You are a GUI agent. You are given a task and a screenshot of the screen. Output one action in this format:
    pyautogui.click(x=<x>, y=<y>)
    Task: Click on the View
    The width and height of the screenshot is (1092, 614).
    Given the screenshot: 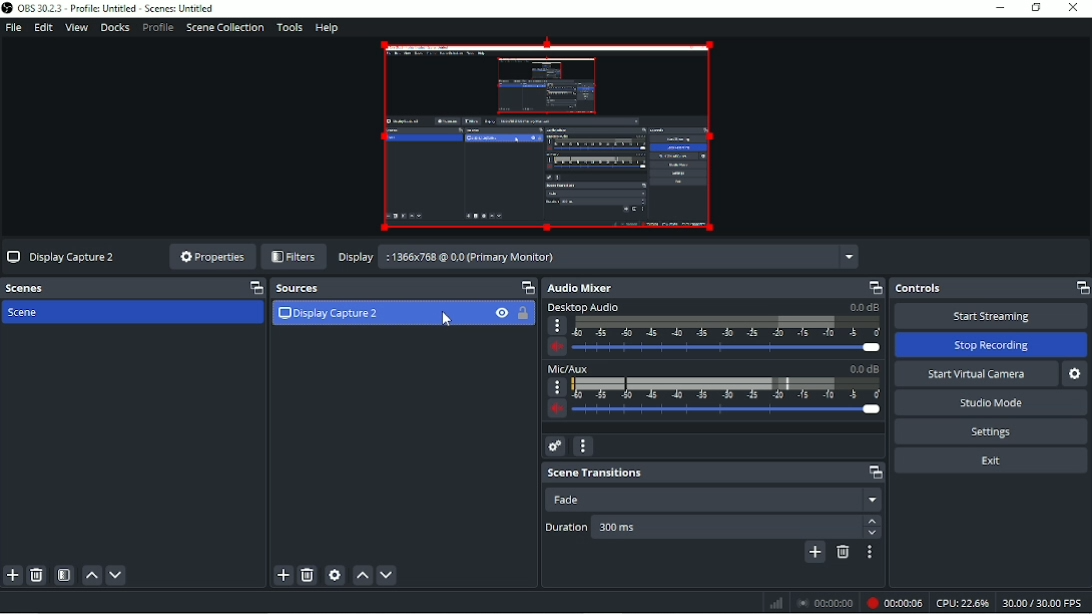 What is the action you would take?
    pyautogui.click(x=76, y=28)
    